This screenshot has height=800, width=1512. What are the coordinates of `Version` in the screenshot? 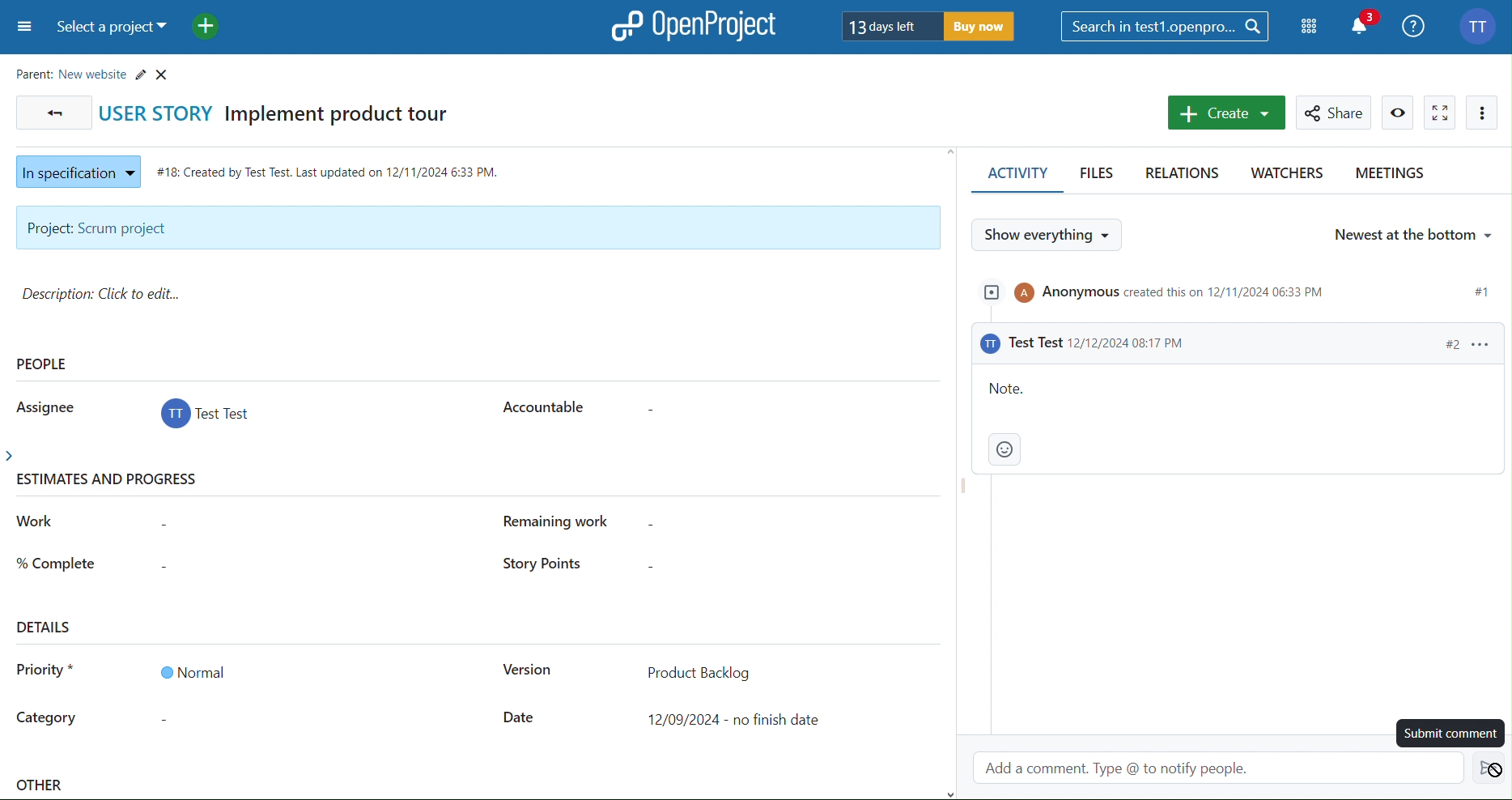 It's located at (526, 672).